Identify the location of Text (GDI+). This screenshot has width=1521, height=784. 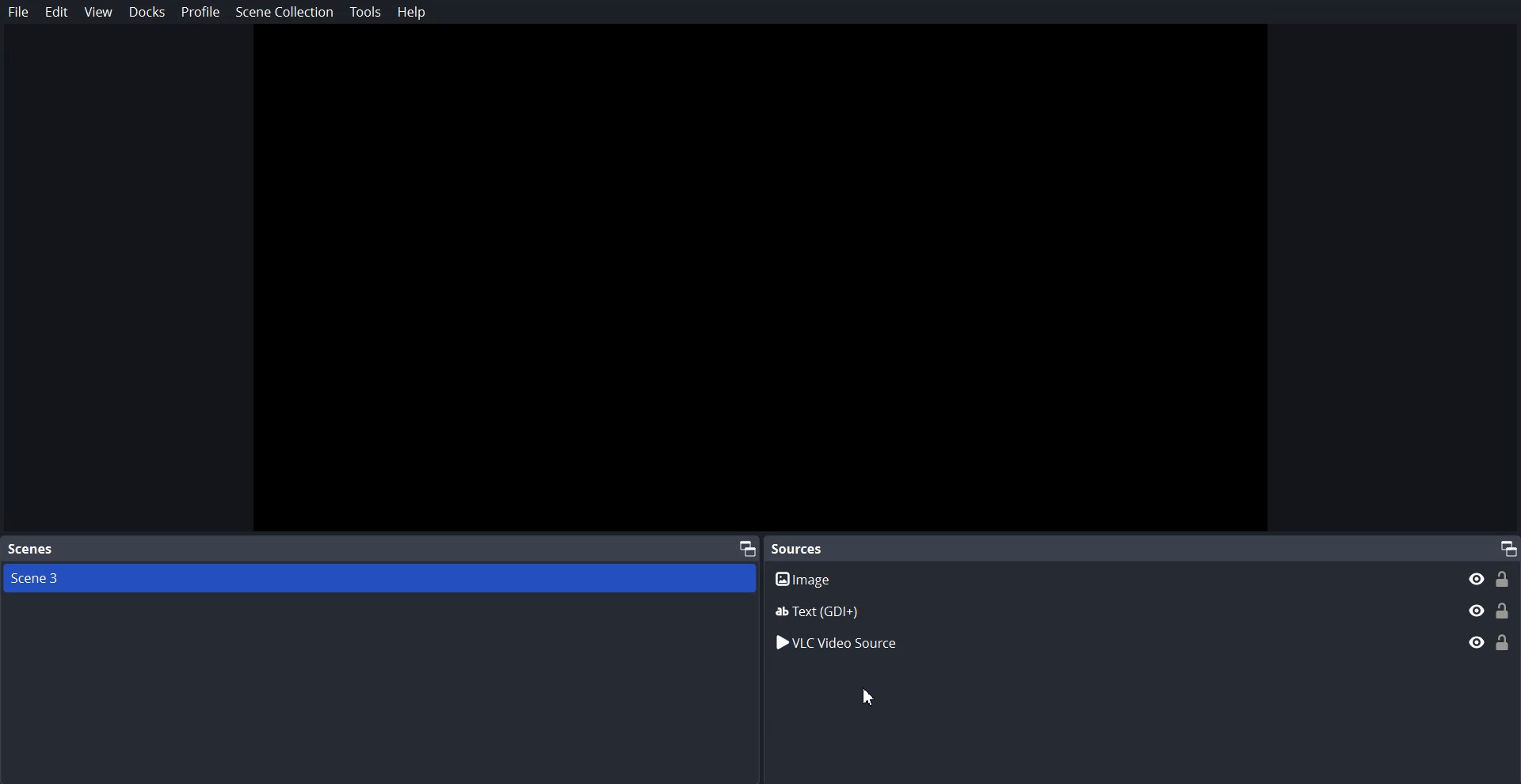
(1143, 611).